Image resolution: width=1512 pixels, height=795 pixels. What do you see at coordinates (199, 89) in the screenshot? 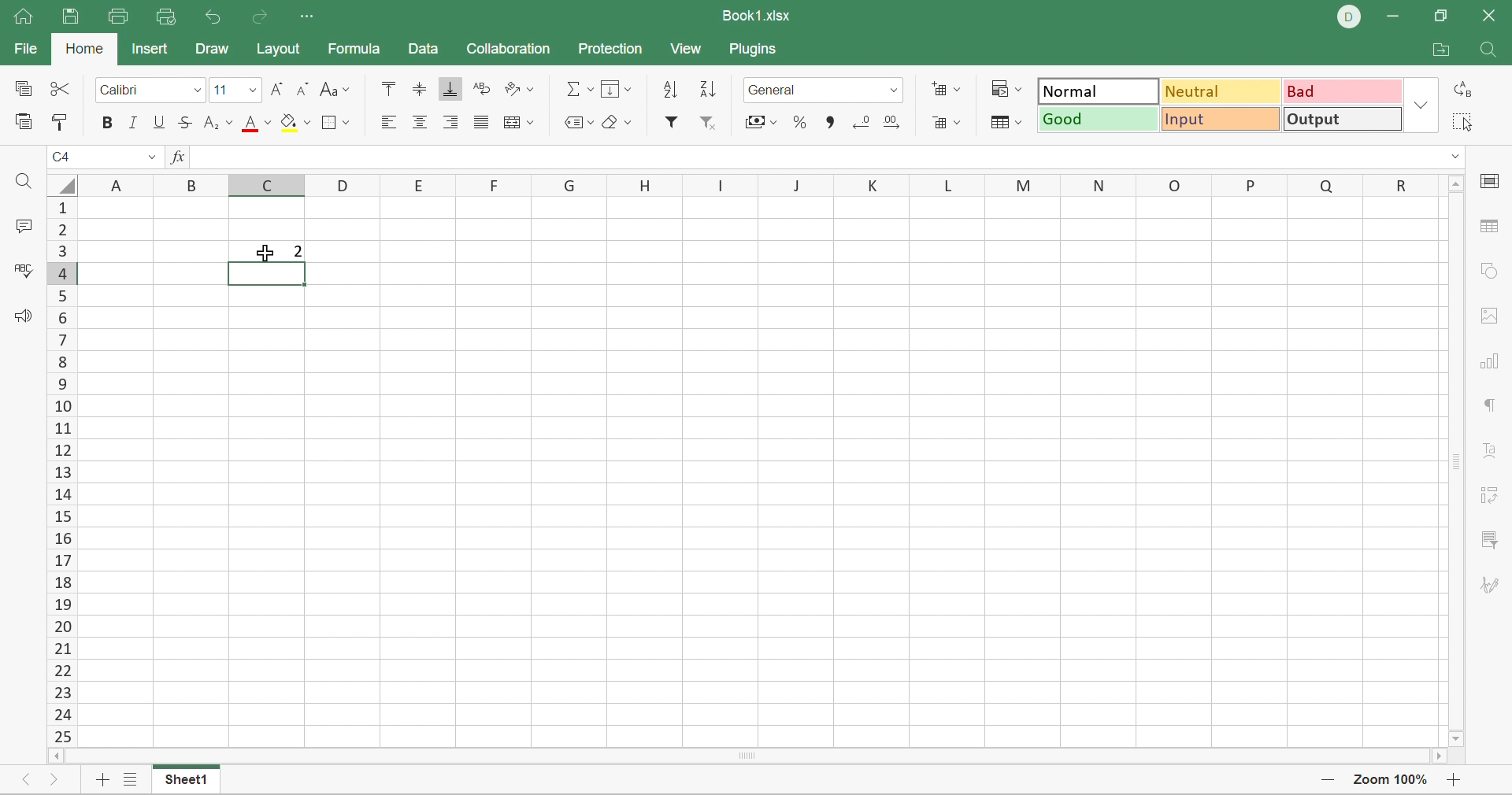
I see `Drop Down` at bounding box center [199, 89].